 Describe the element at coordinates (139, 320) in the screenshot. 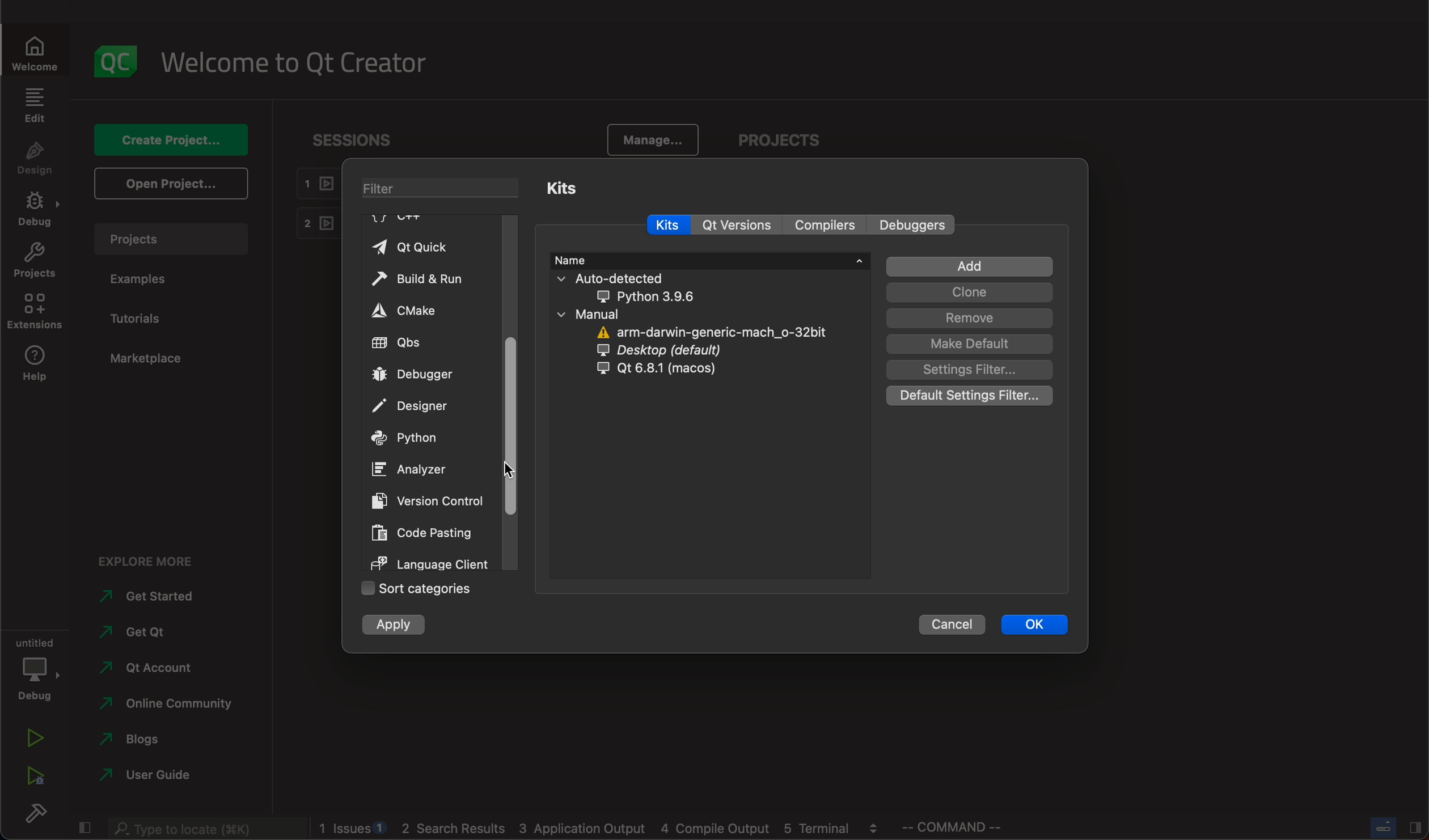

I see `tutorials` at that location.